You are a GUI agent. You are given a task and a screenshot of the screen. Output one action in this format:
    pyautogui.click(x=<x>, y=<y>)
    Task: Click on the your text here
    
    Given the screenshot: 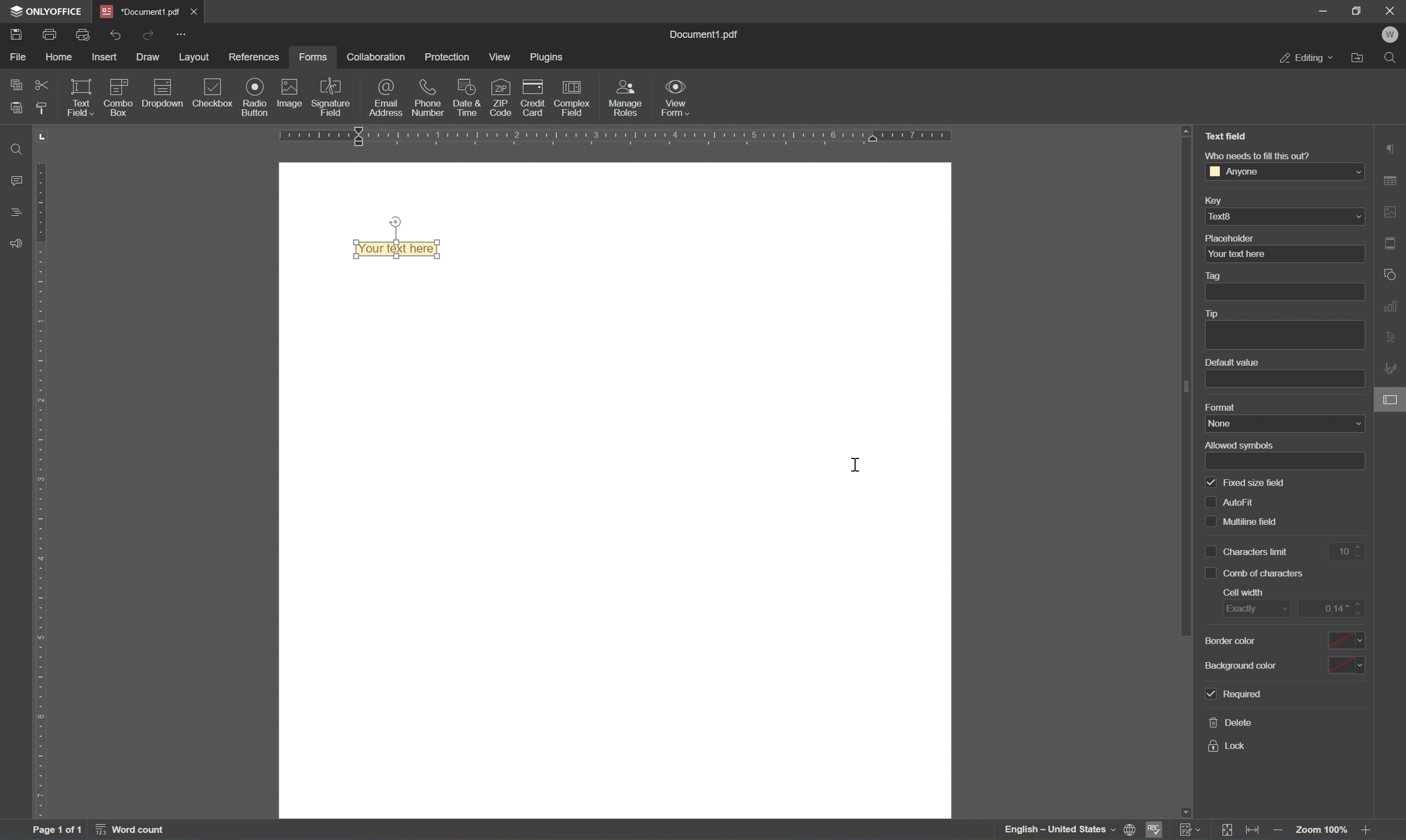 What is the action you would take?
    pyautogui.click(x=398, y=249)
    